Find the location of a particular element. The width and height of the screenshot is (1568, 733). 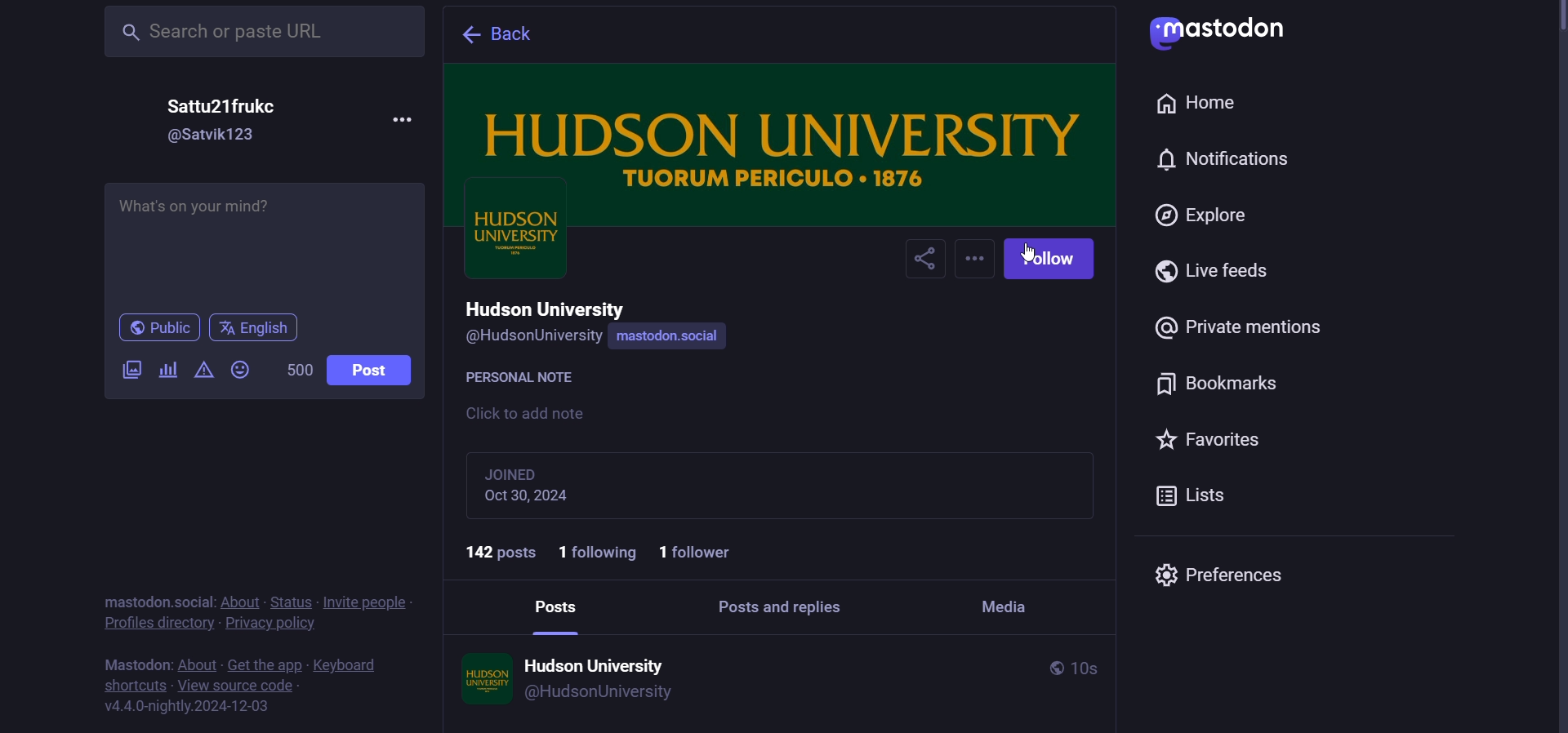

What's on your mind? is located at coordinates (265, 247).